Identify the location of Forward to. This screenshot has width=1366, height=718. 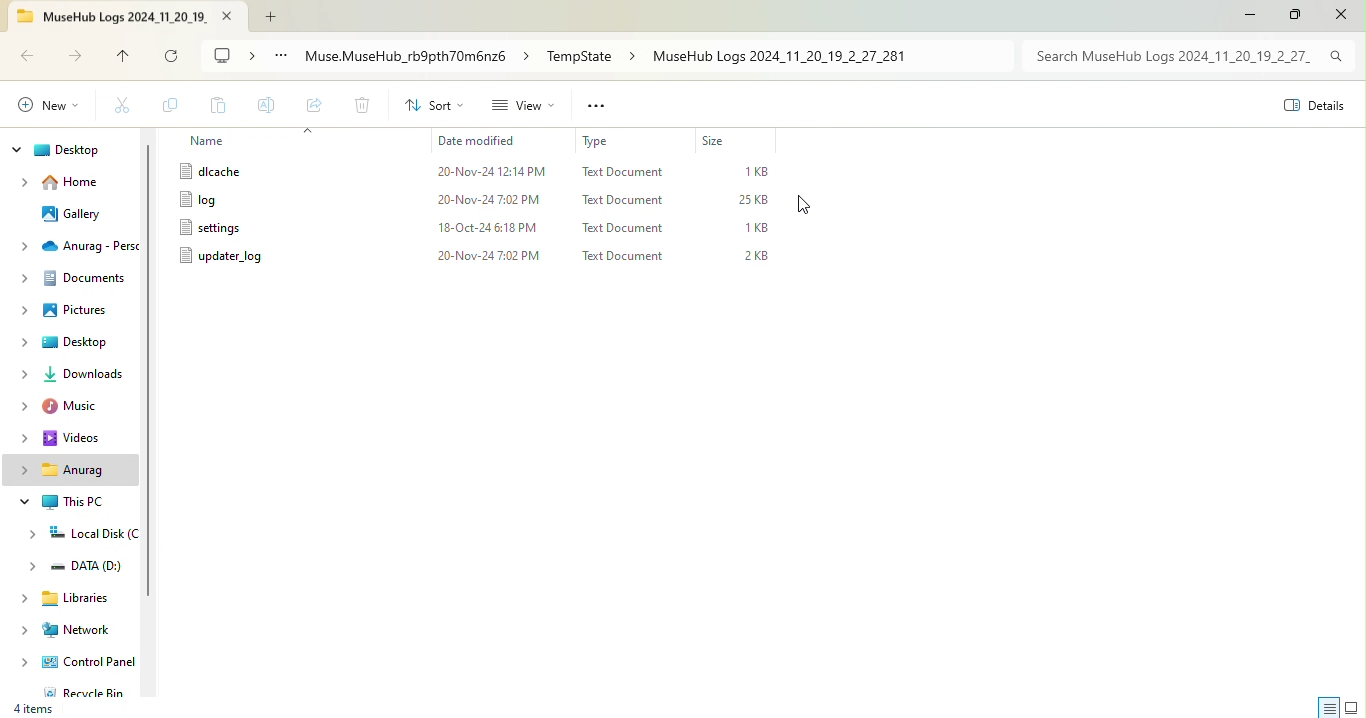
(81, 58).